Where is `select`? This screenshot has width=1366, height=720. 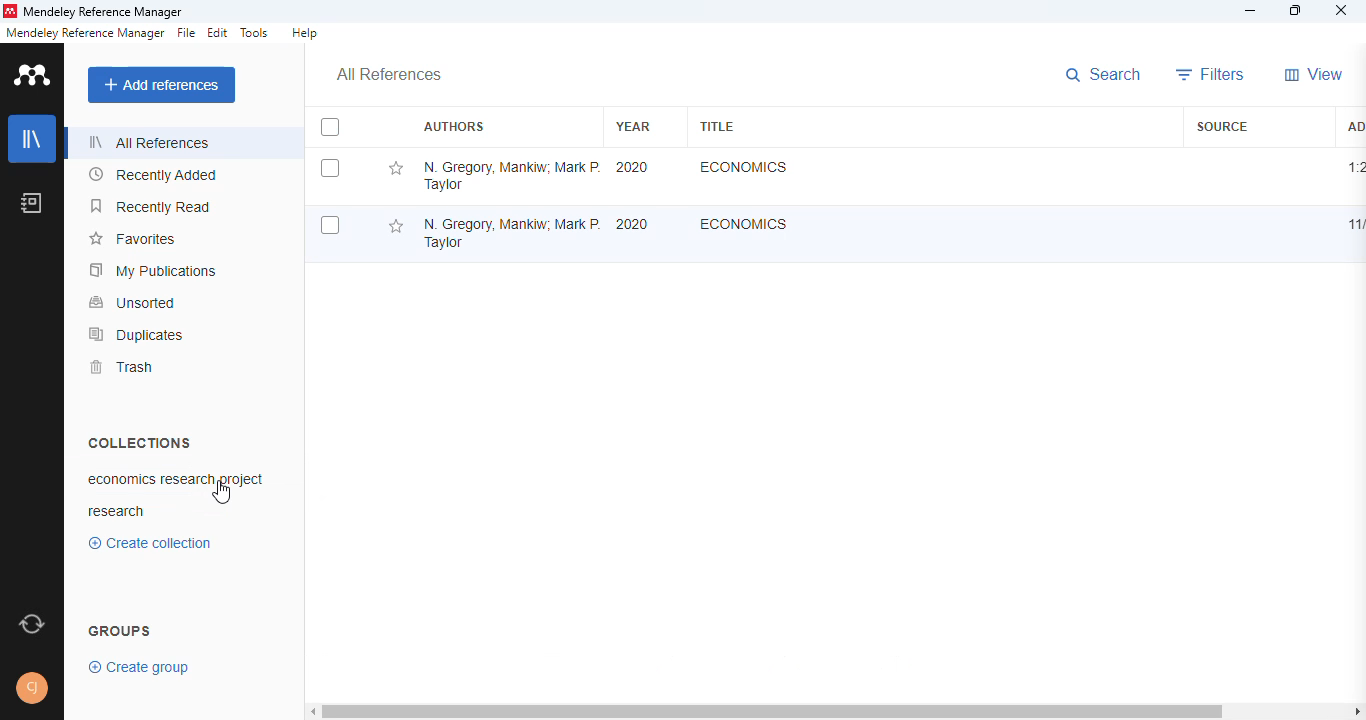 select is located at coordinates (330, 128).